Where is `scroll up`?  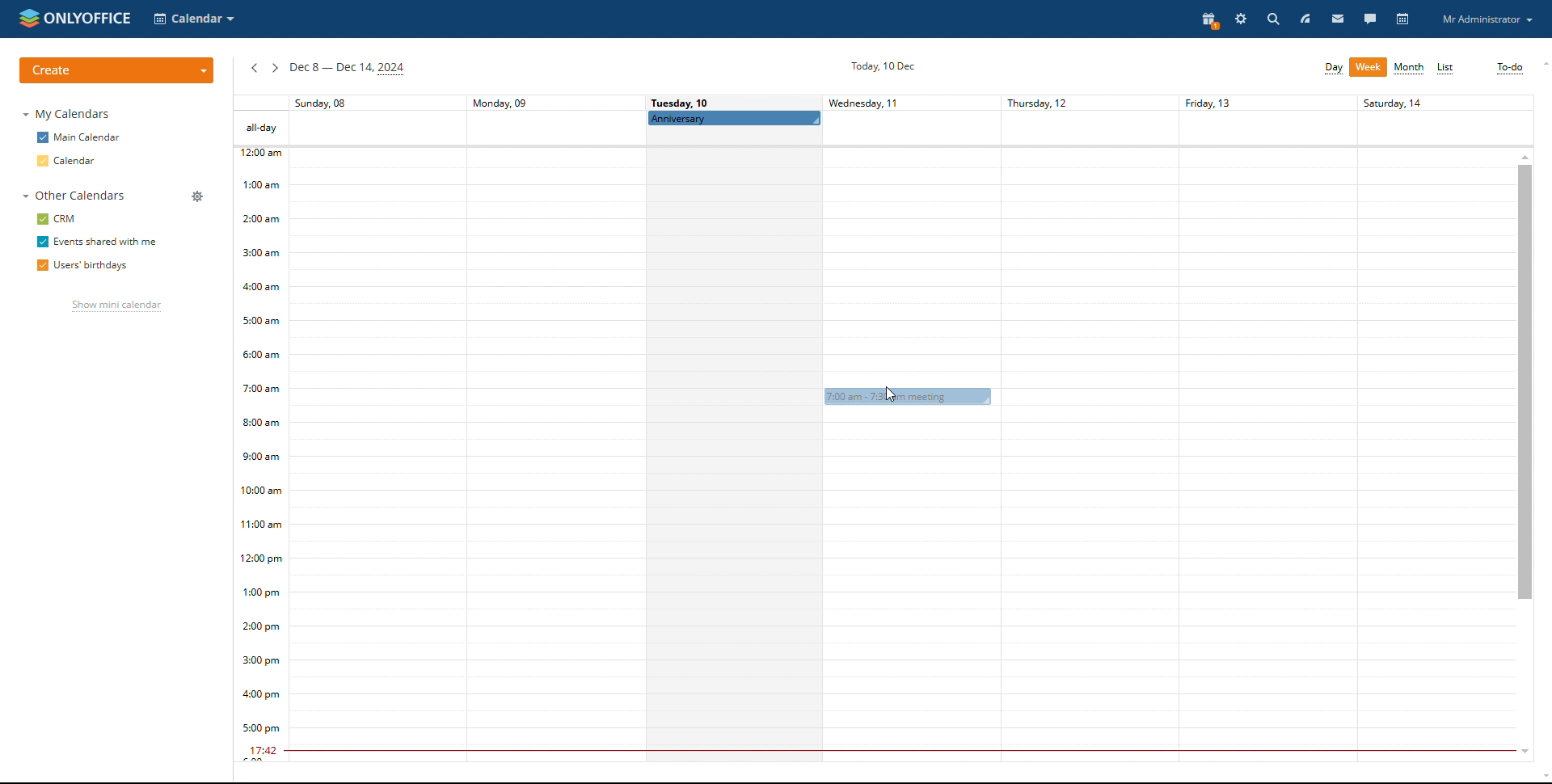 scroll up is located at coordinates (1525, 155).